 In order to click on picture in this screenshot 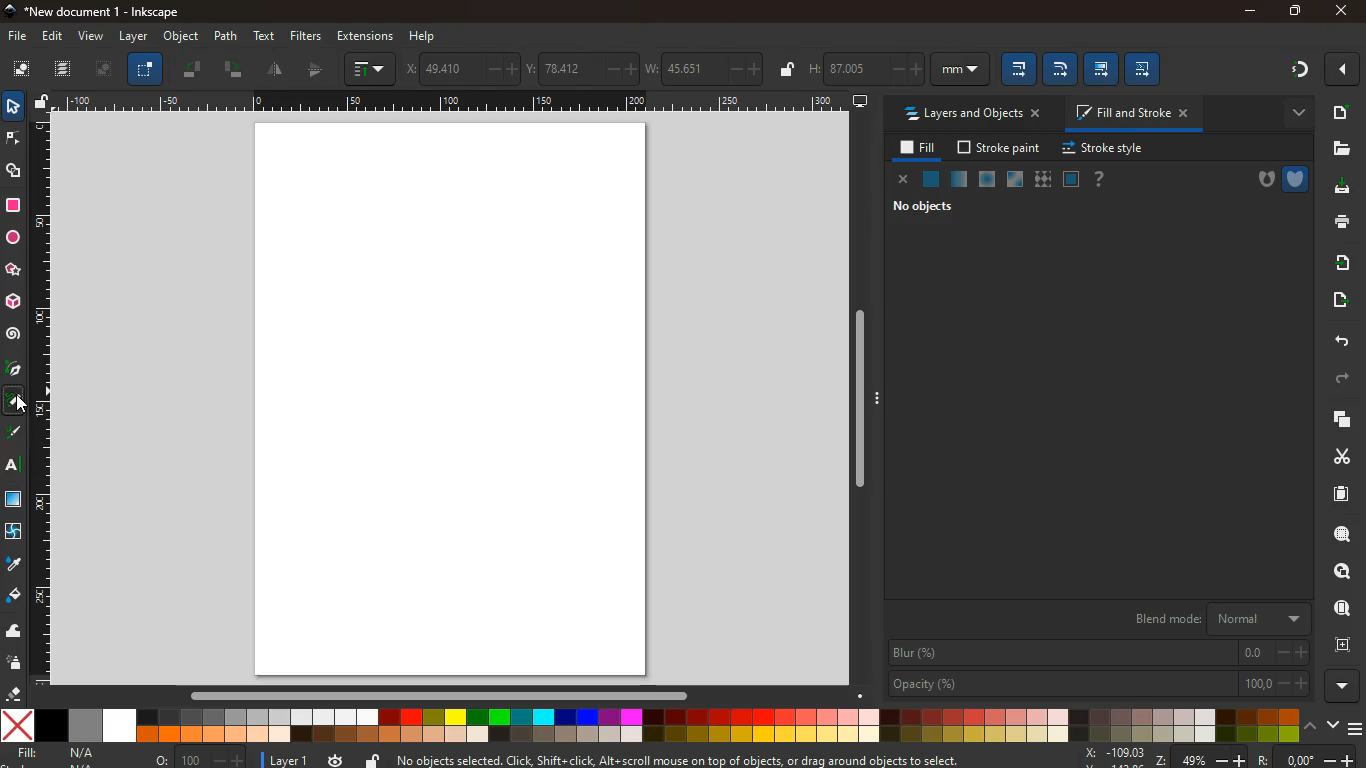, I will do `click(100, 70)`.